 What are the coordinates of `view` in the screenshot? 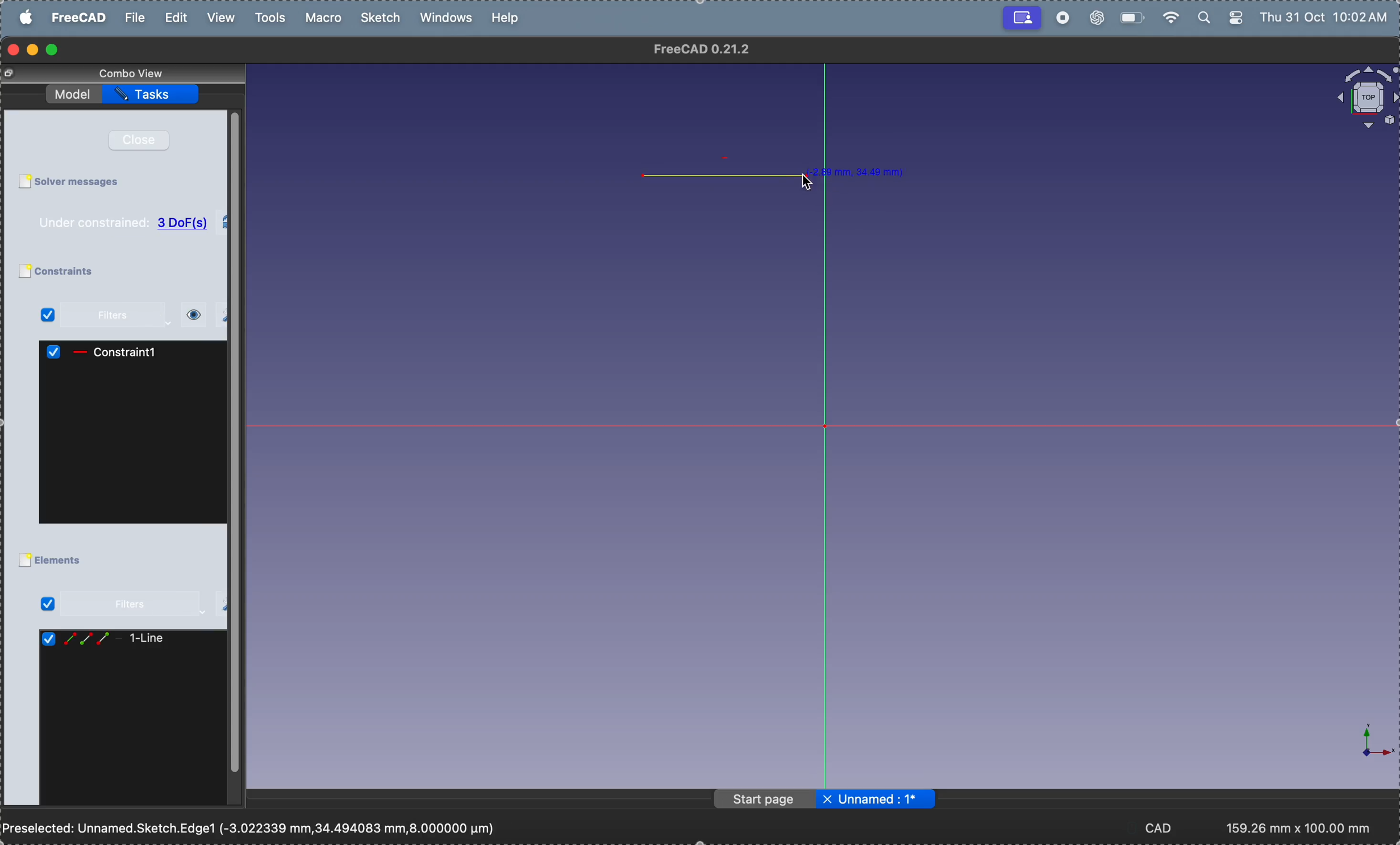 It's located at (219, 18).